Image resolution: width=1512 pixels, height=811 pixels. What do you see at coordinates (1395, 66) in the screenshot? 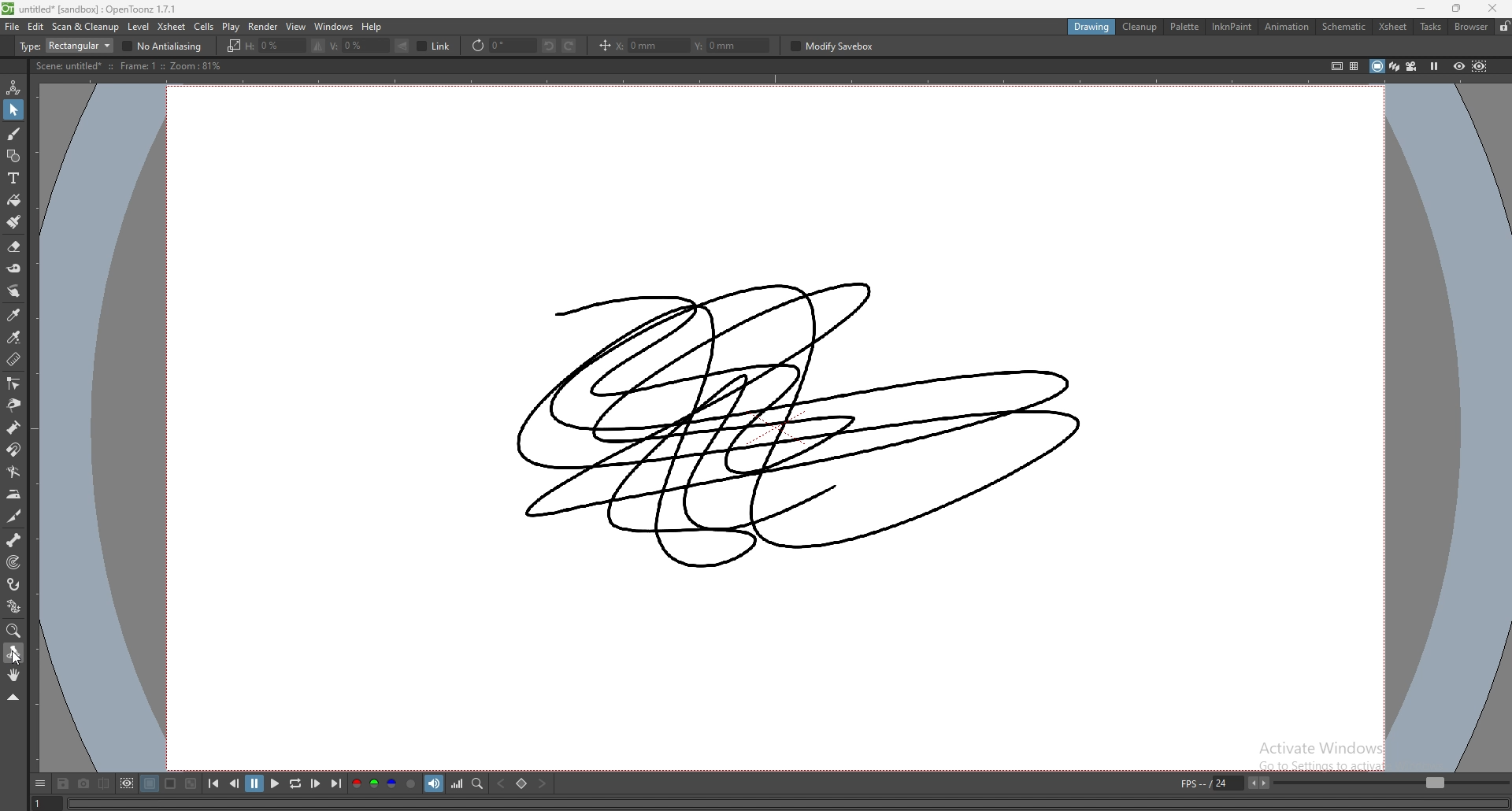
I see `3d` at bounding box center [1395, 66].